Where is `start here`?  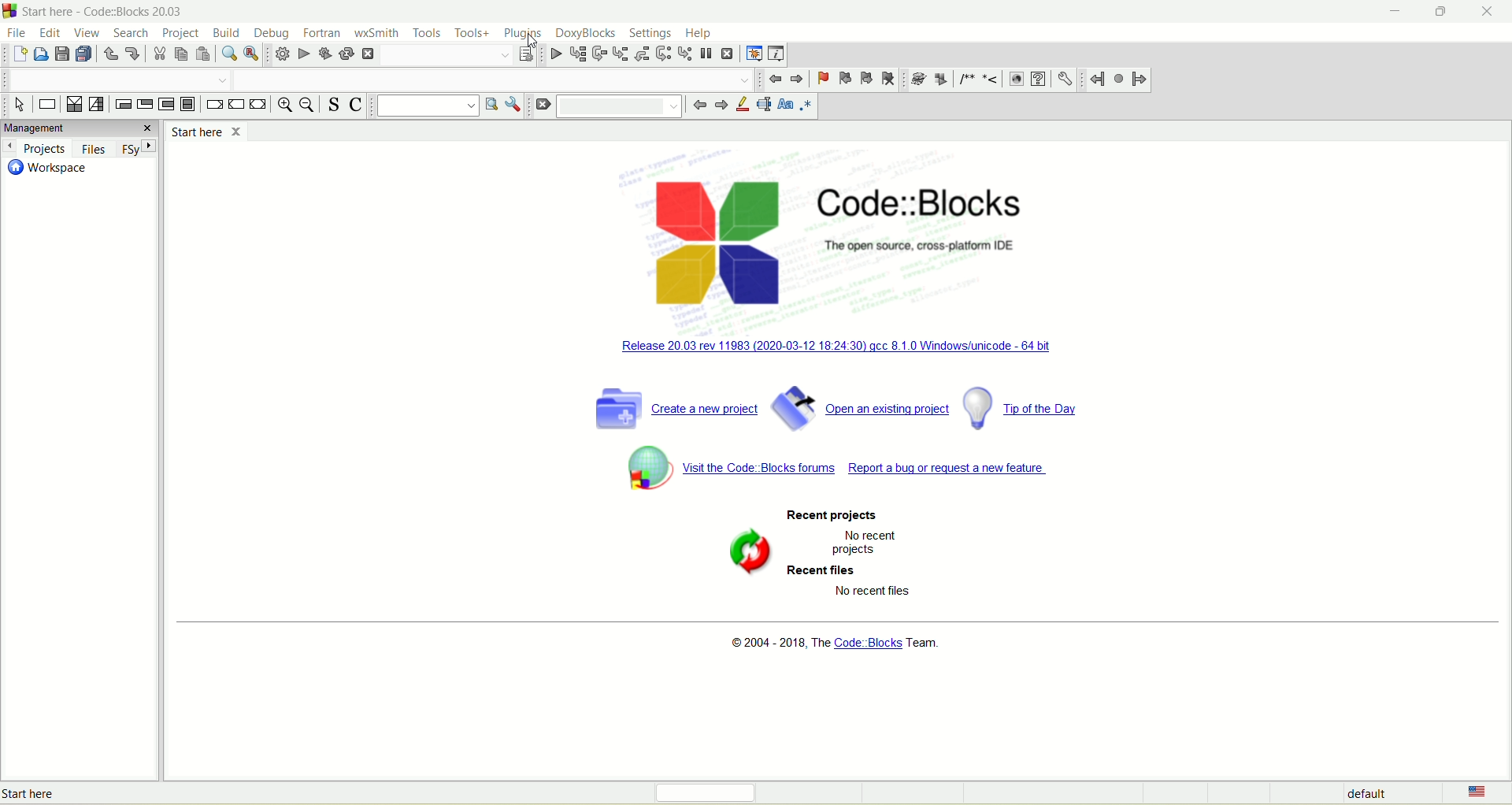
start here is located at coordinates (206, 131).